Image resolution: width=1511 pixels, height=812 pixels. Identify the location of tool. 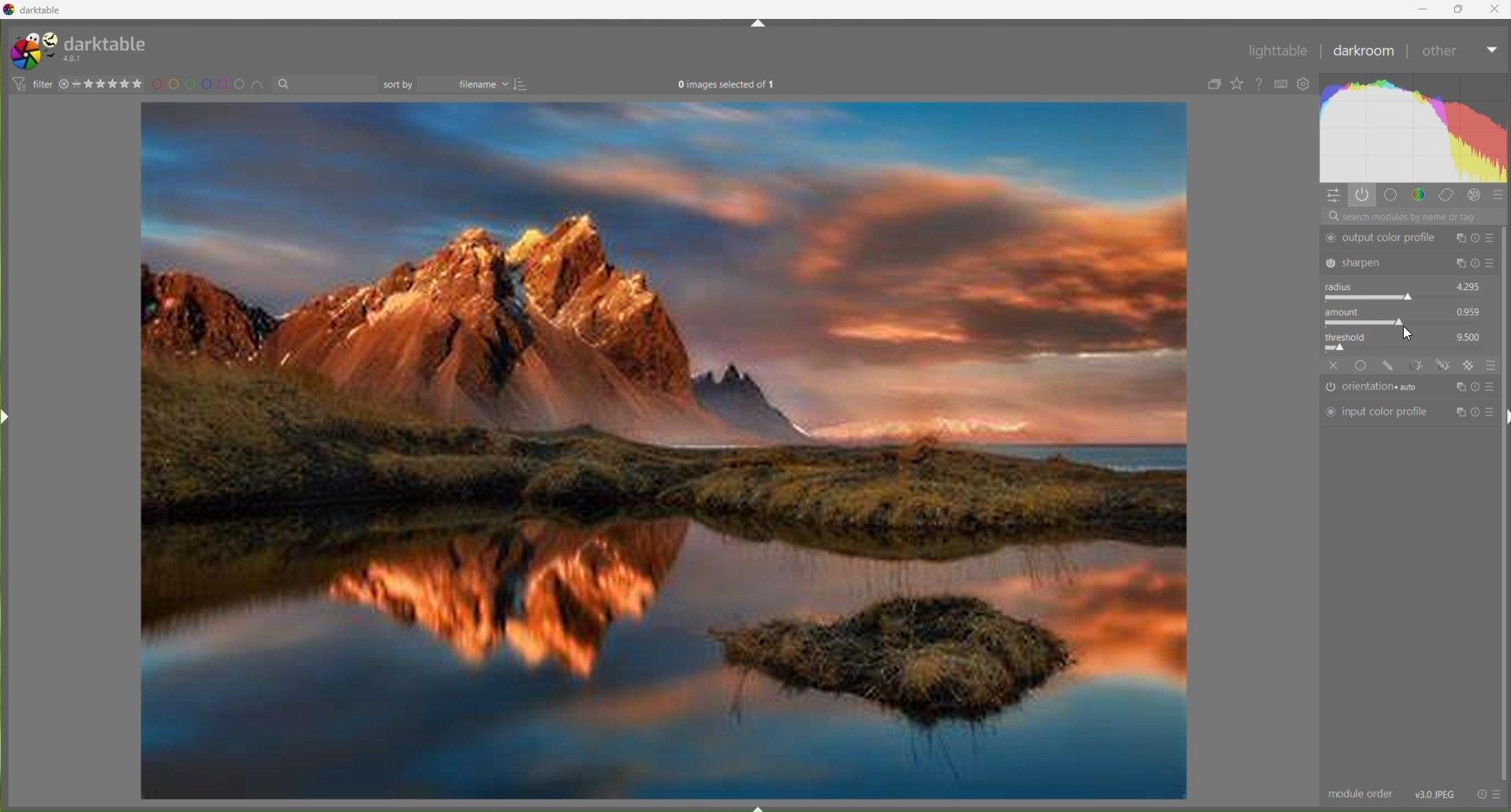
(1416, 364).